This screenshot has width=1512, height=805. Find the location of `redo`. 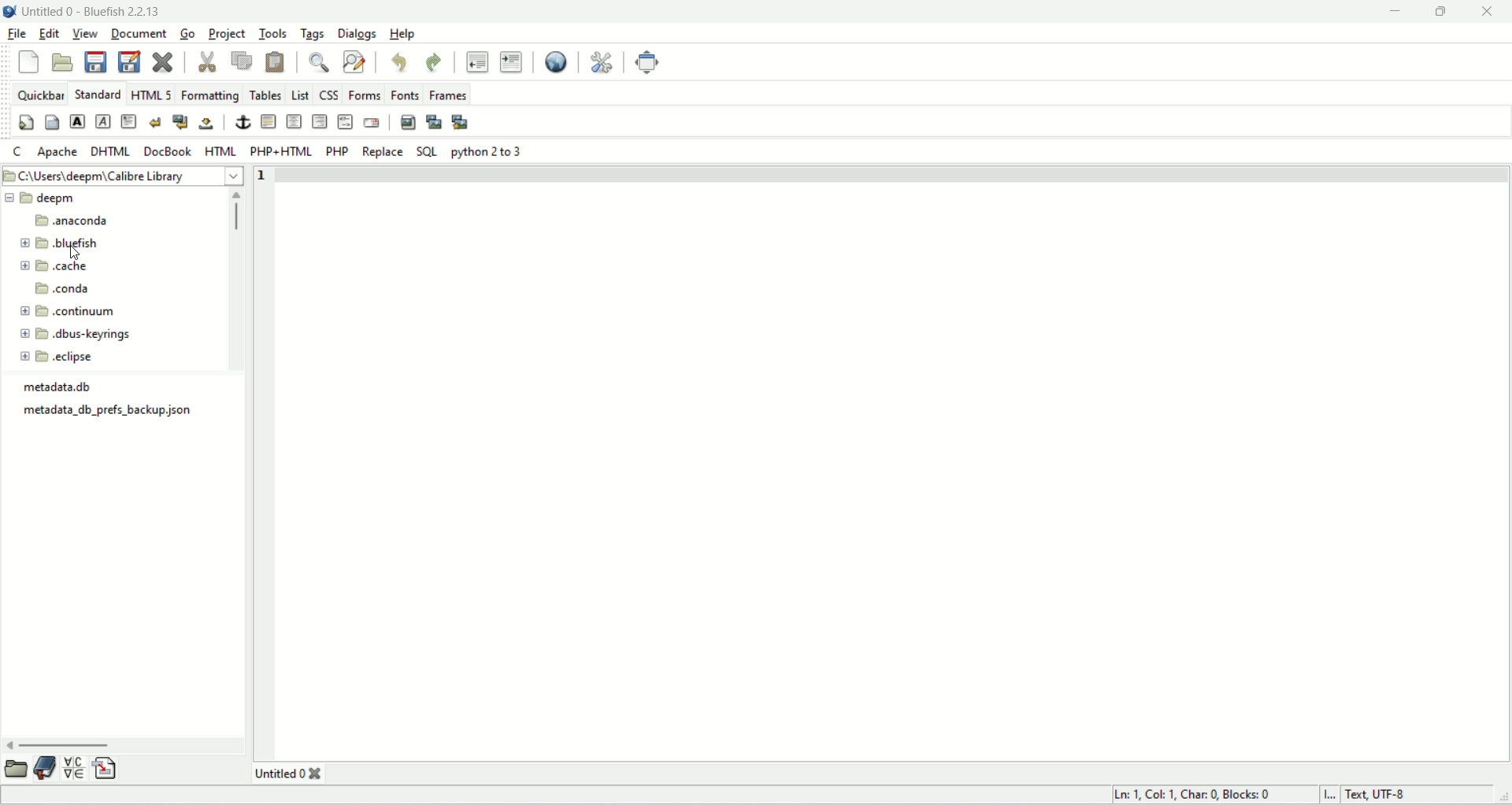

redo is located at coordinates (435, 63).